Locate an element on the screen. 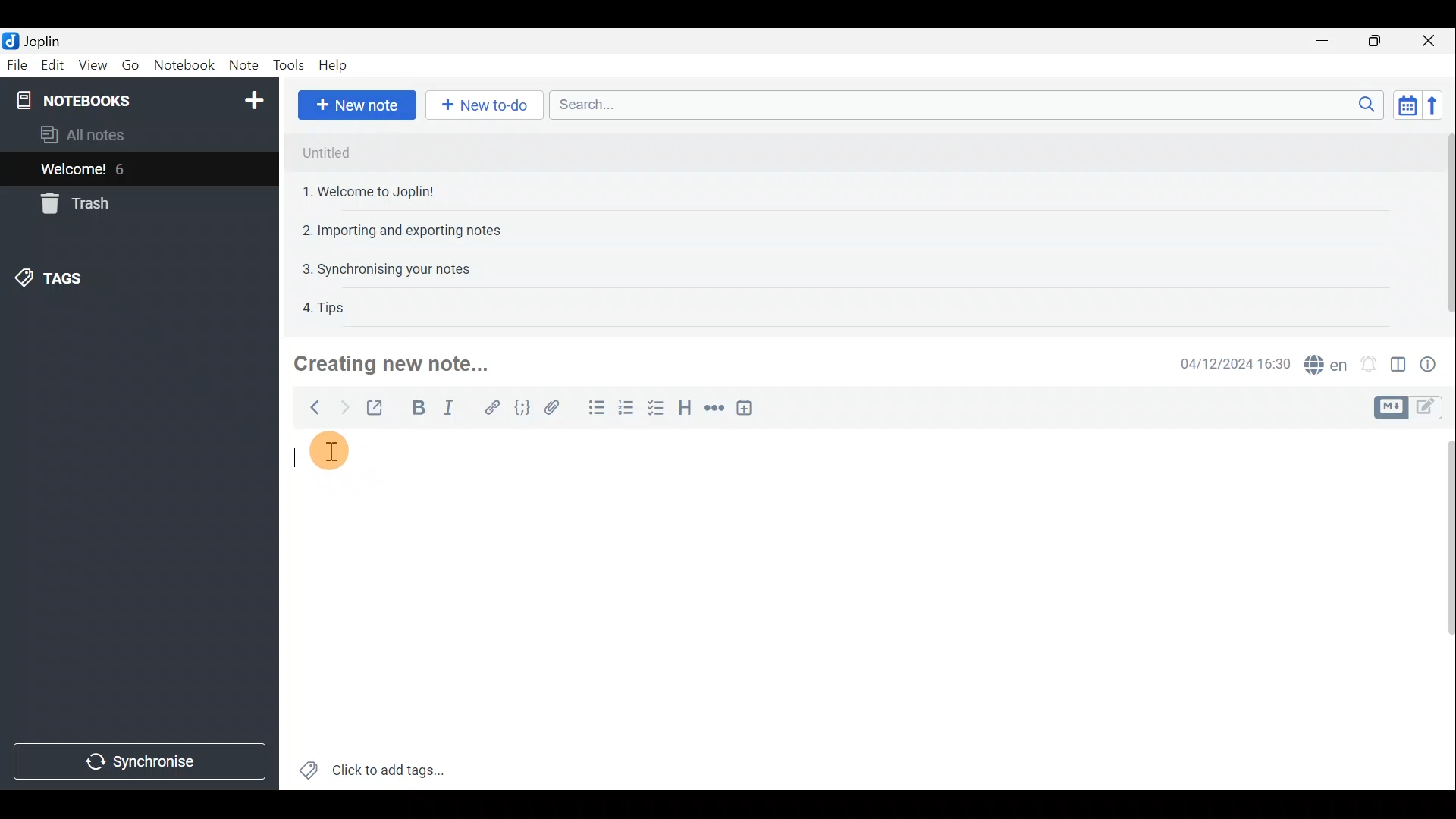  Click to add tags is located at coordinates (380, 771).